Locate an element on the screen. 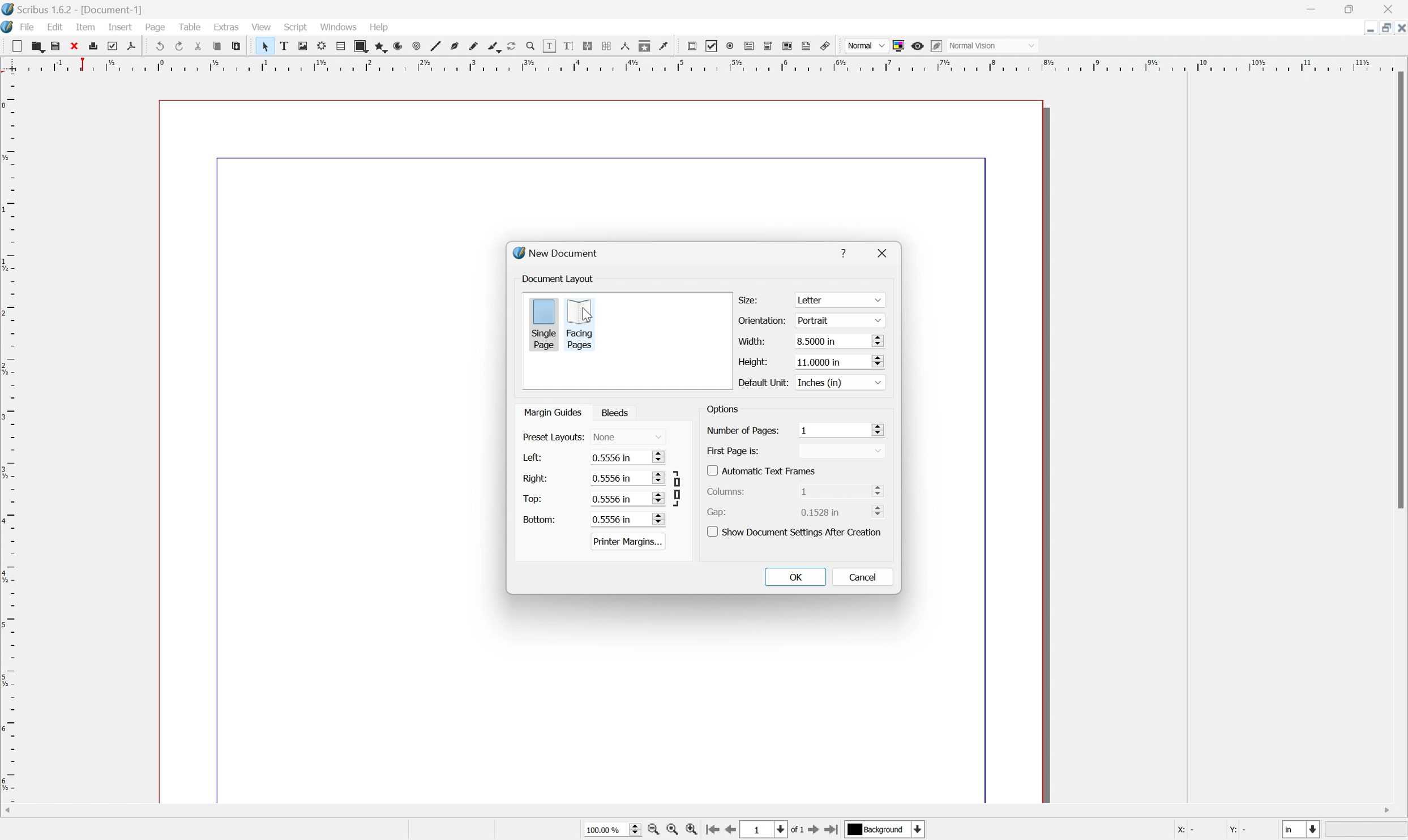 This screenshot has width=1408, height=840. Printer margins... is located at coordinates (628, 541).